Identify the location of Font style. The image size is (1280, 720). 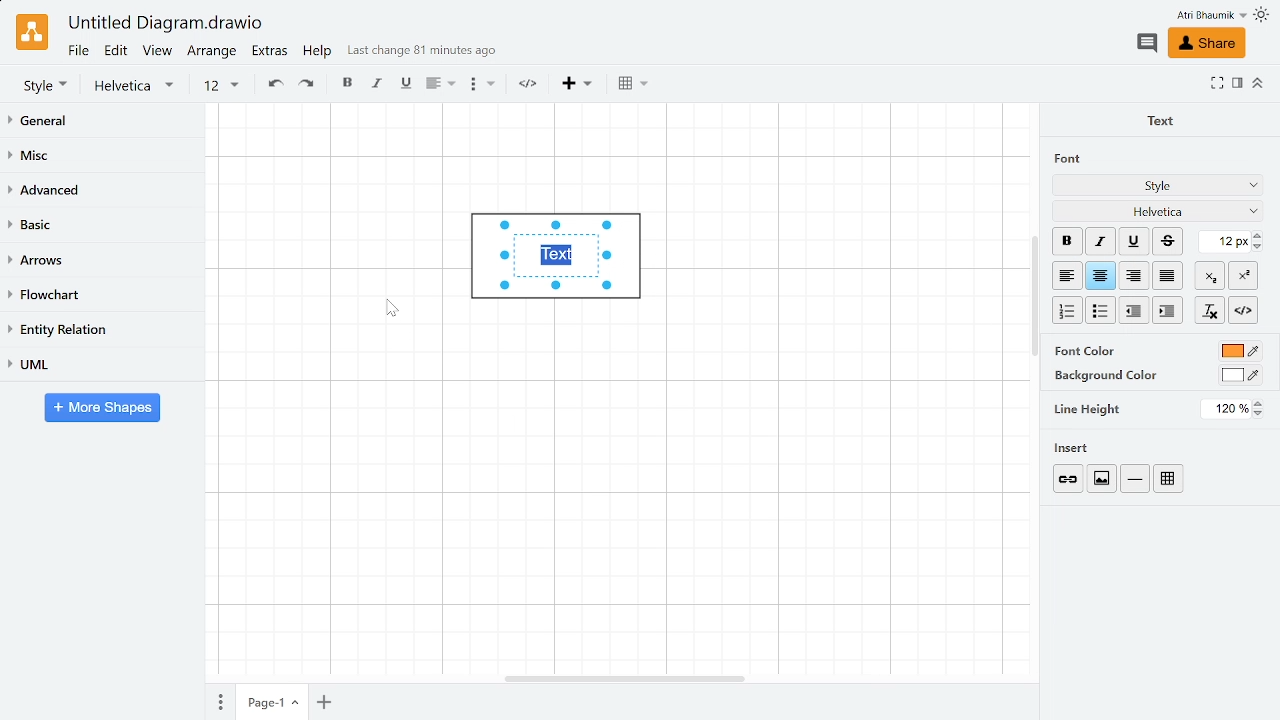
(1159, 187).